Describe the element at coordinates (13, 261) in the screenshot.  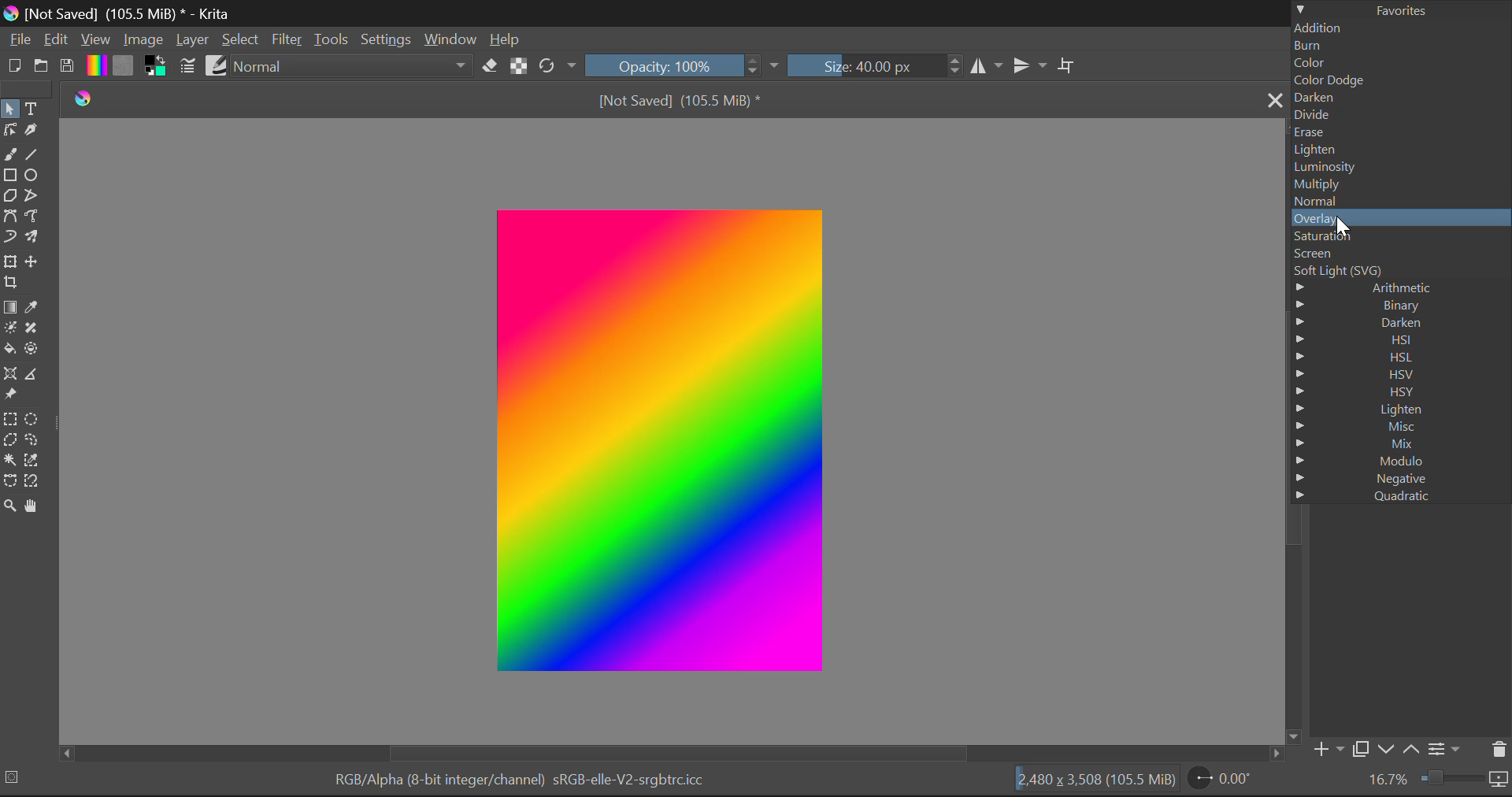
I see `Transform Layer` at that location.